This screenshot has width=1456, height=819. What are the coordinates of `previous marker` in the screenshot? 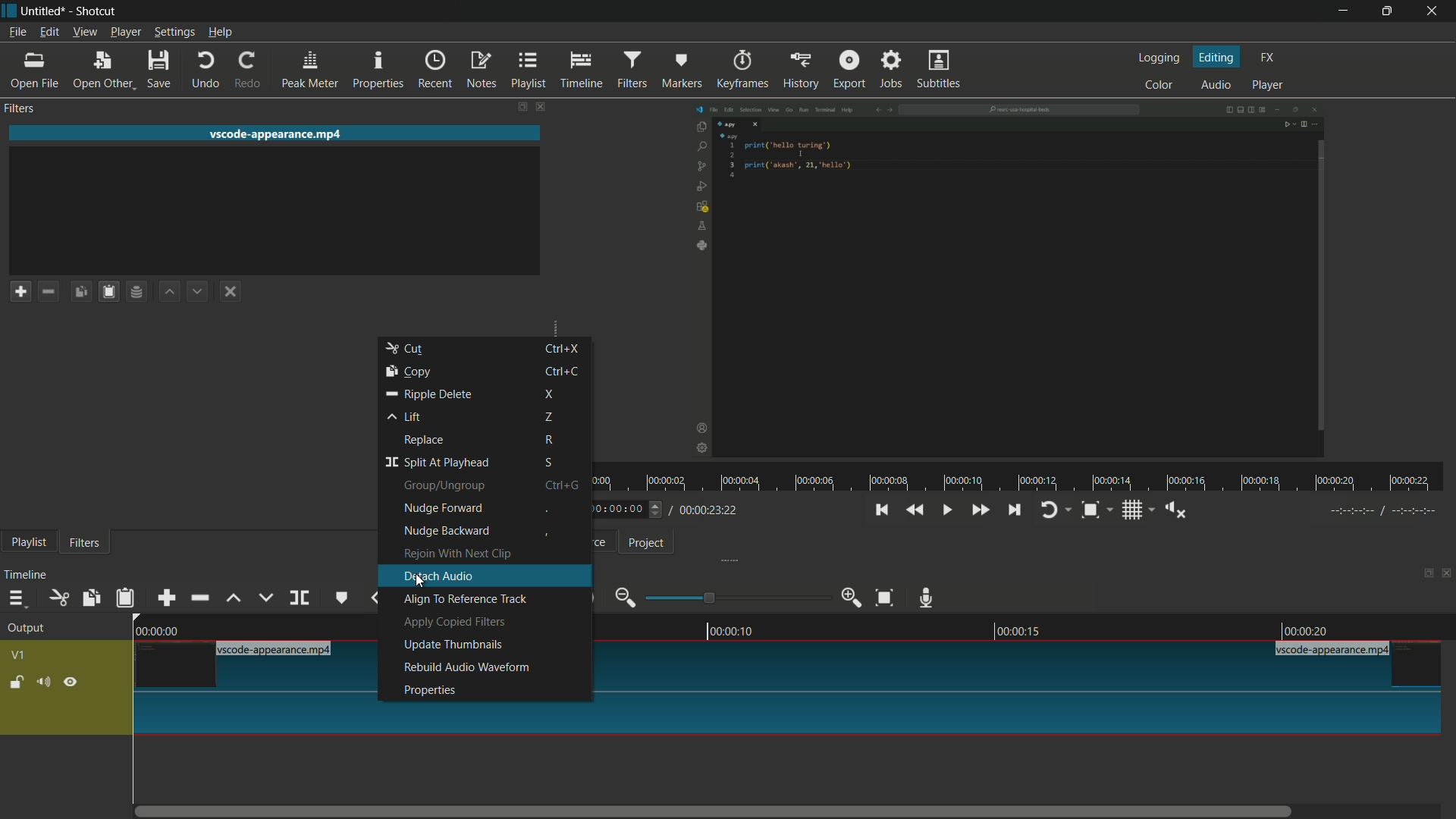 It's located at (375, 598).